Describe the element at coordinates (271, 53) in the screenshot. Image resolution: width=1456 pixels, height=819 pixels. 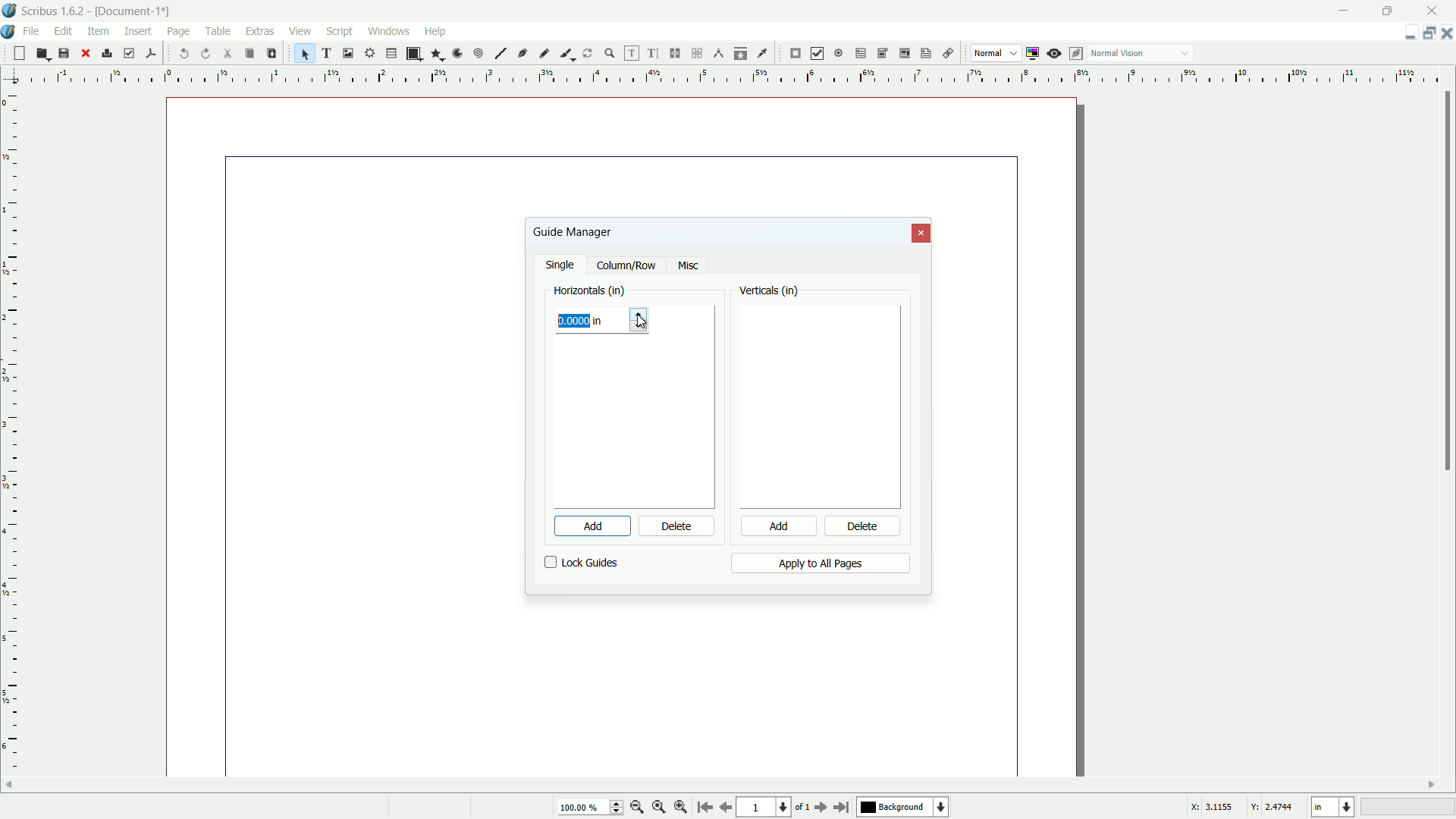
I see `paste` at that location.